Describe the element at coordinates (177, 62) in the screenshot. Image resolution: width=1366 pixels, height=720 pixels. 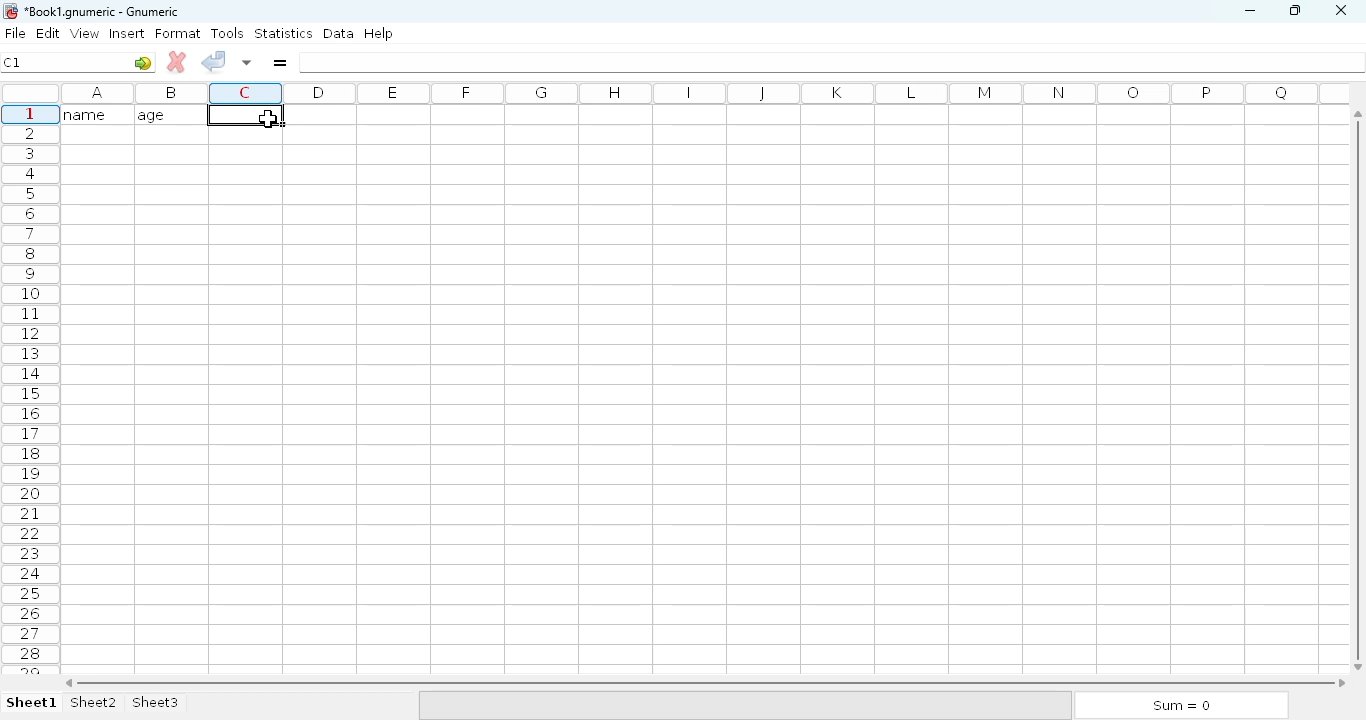
I see `cancel change` at that location.